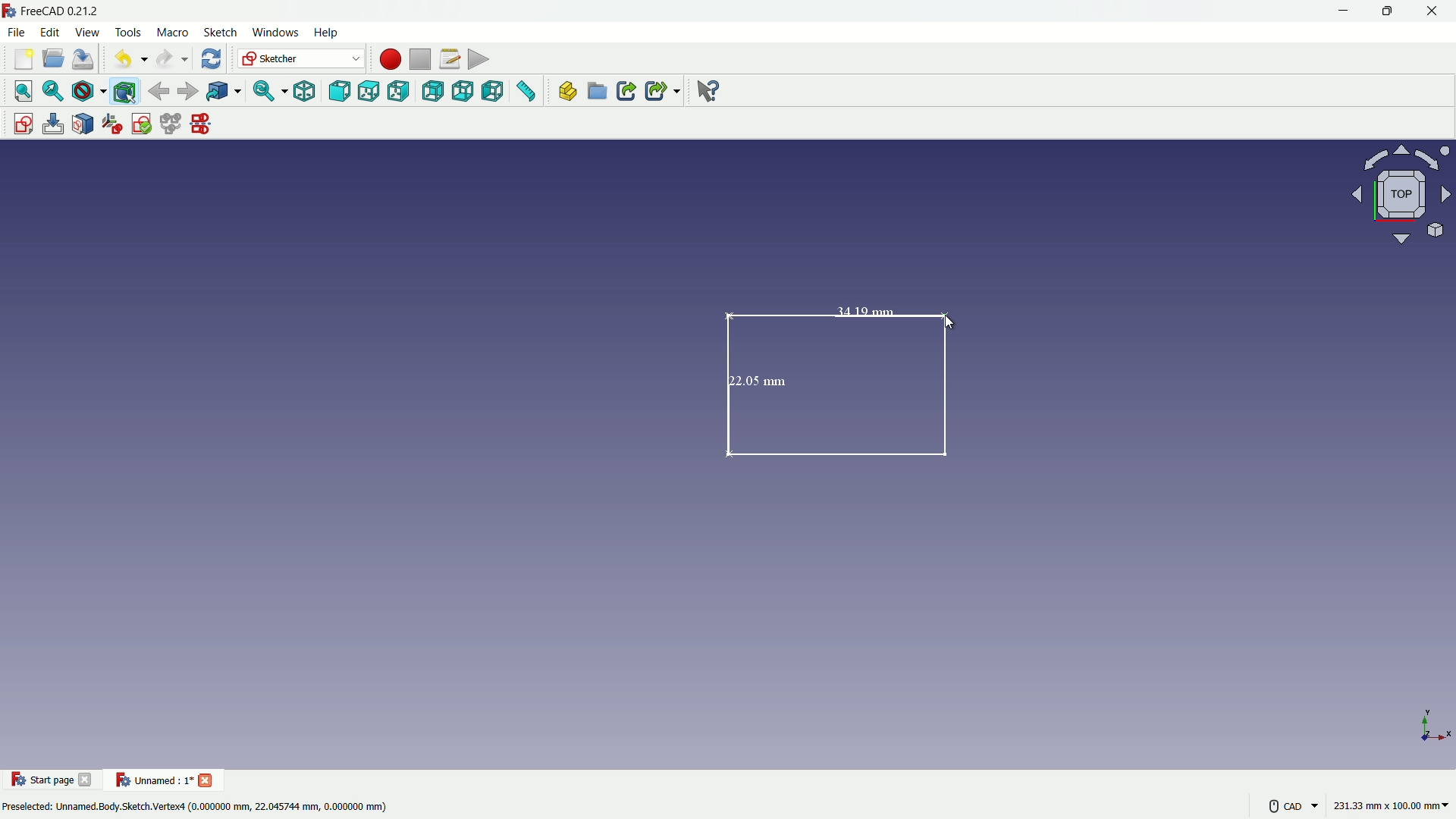 The width and height of the screenshot is (1456, 819). Describe the element at coordinates (208, 779) in the screenshot. I see `close project` at that location.